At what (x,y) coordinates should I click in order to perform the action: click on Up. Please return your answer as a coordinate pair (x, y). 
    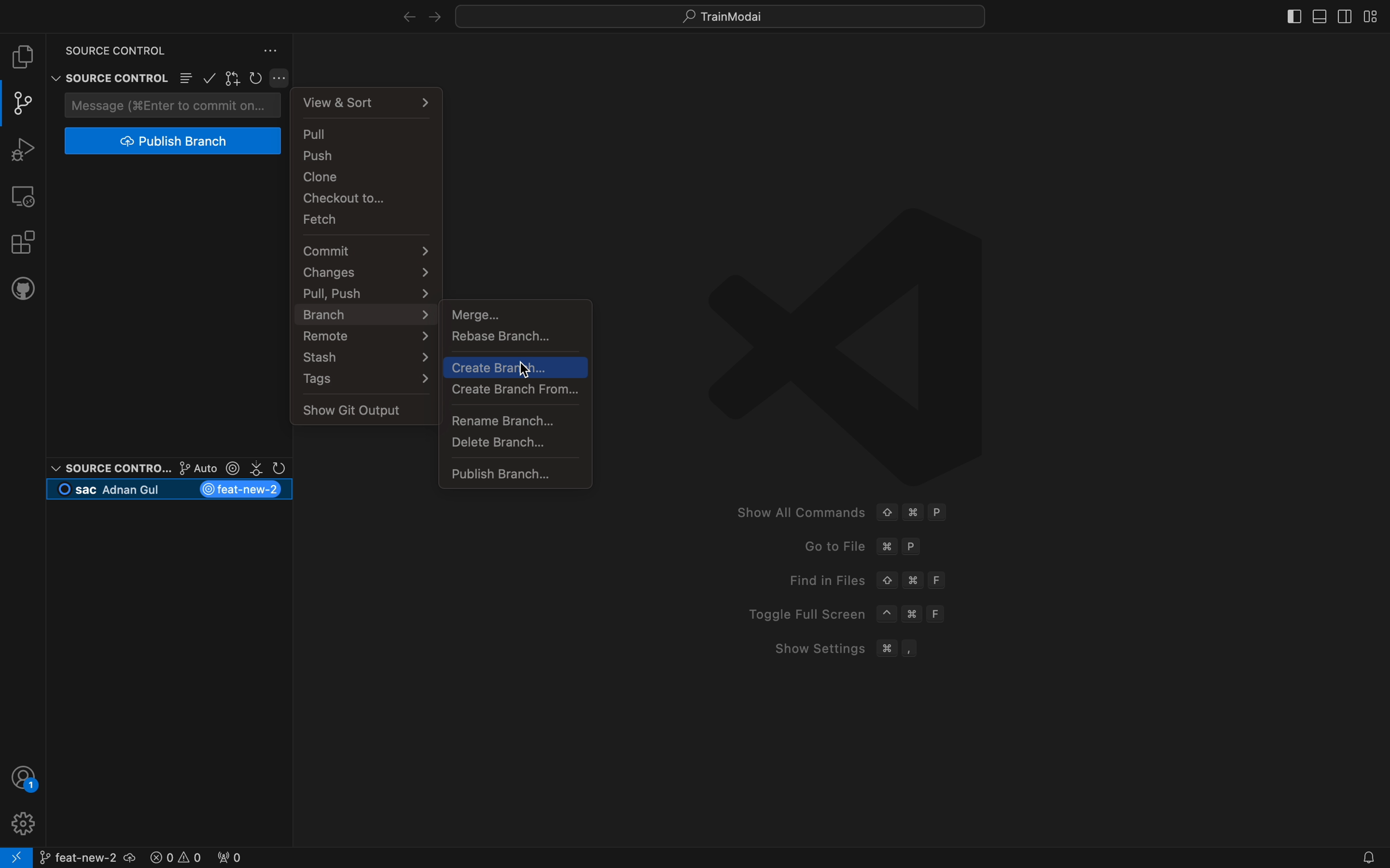
    Looking at the image, I should click on (887, 581).